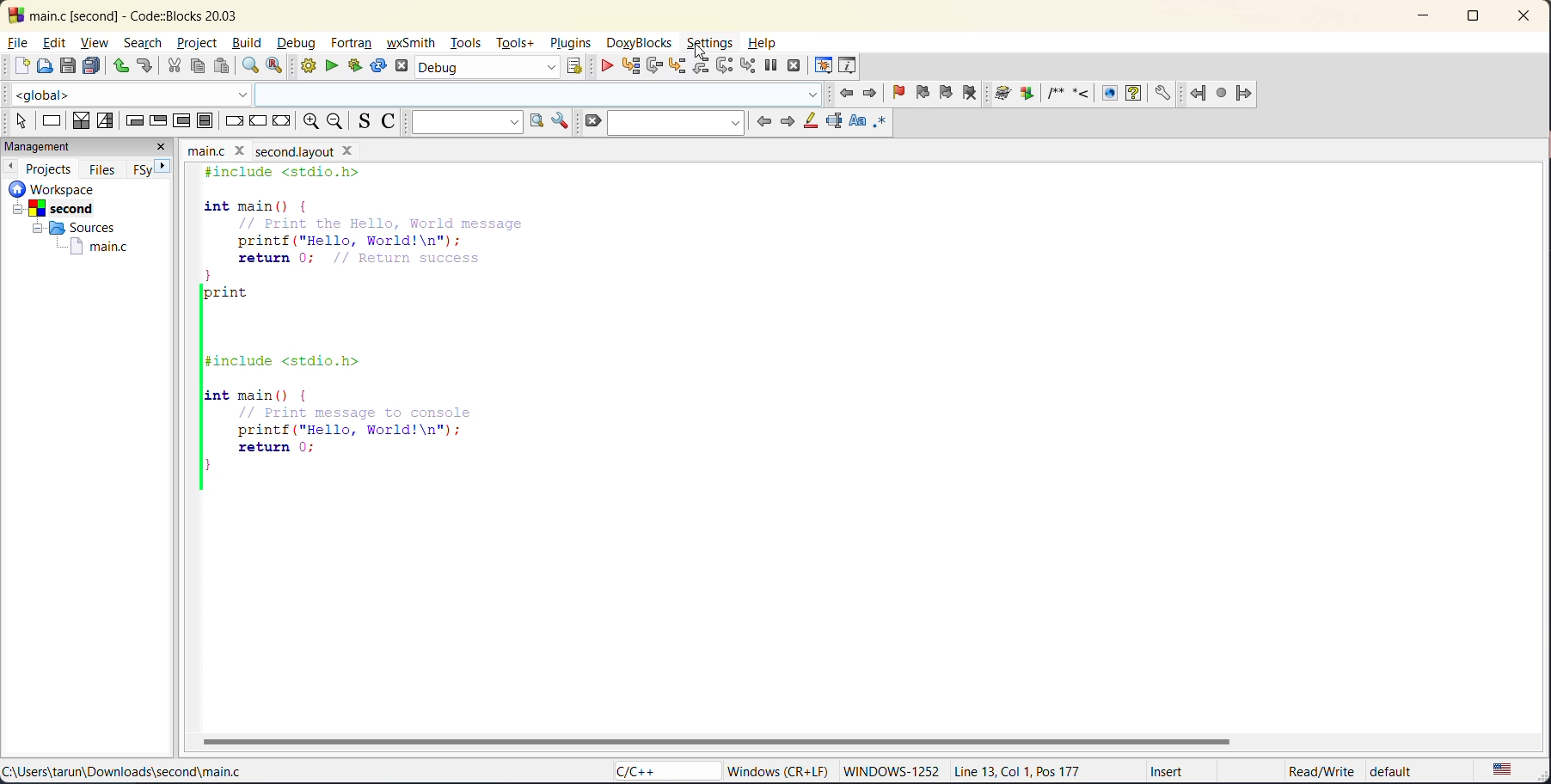  What do you see at coordinates (89, 247) in the screenshot?
I see `main.c` at bounding box center [89, 247].